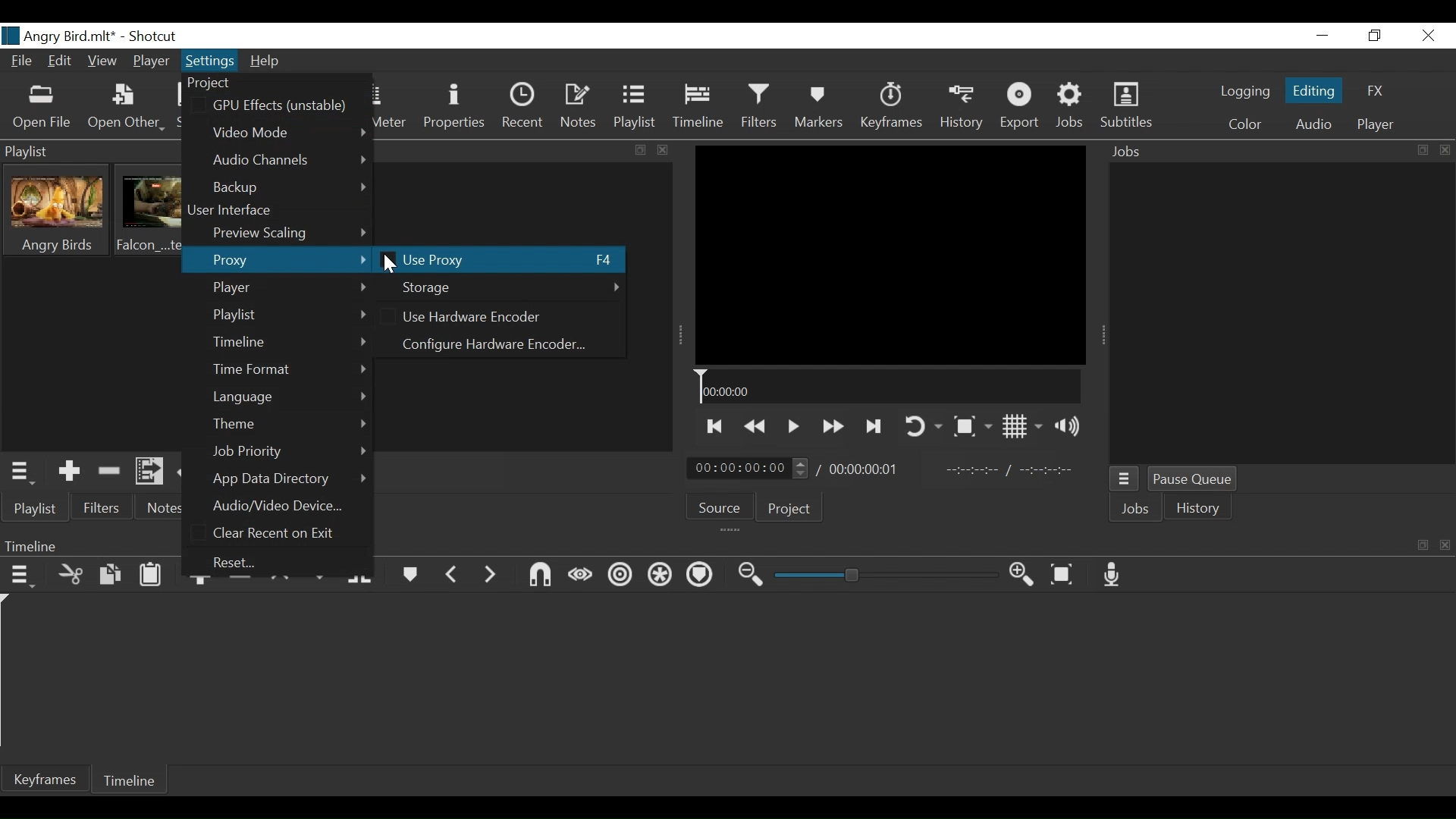  What do you see at coordinates (1068, 426) in the screenshot?
I see `Show volume control` at bounding box center [1068, 426].